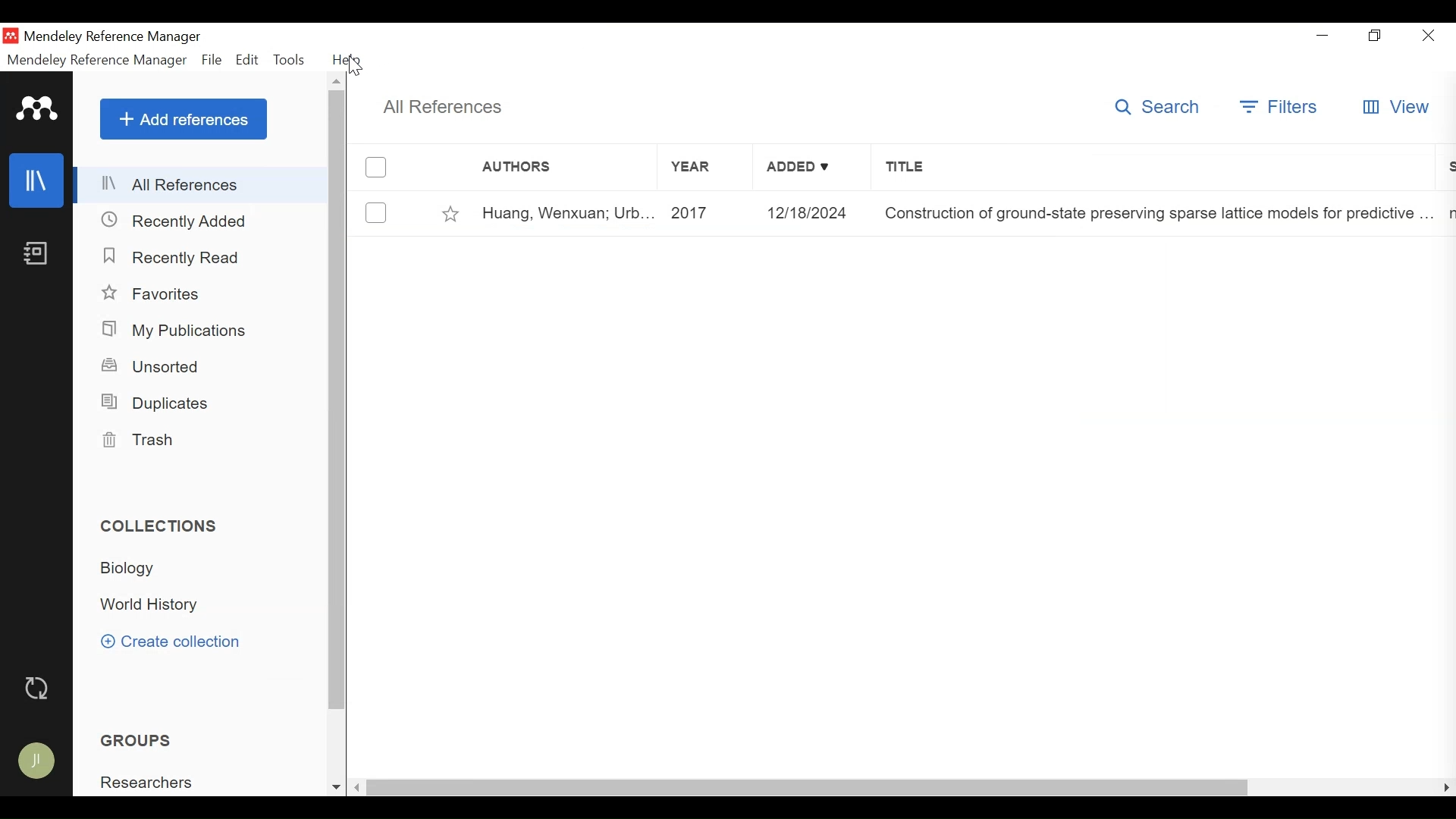 Image resolution: width=1456 pixels, height=819 pixels. I want to click on Filters, so click(1278, 107).